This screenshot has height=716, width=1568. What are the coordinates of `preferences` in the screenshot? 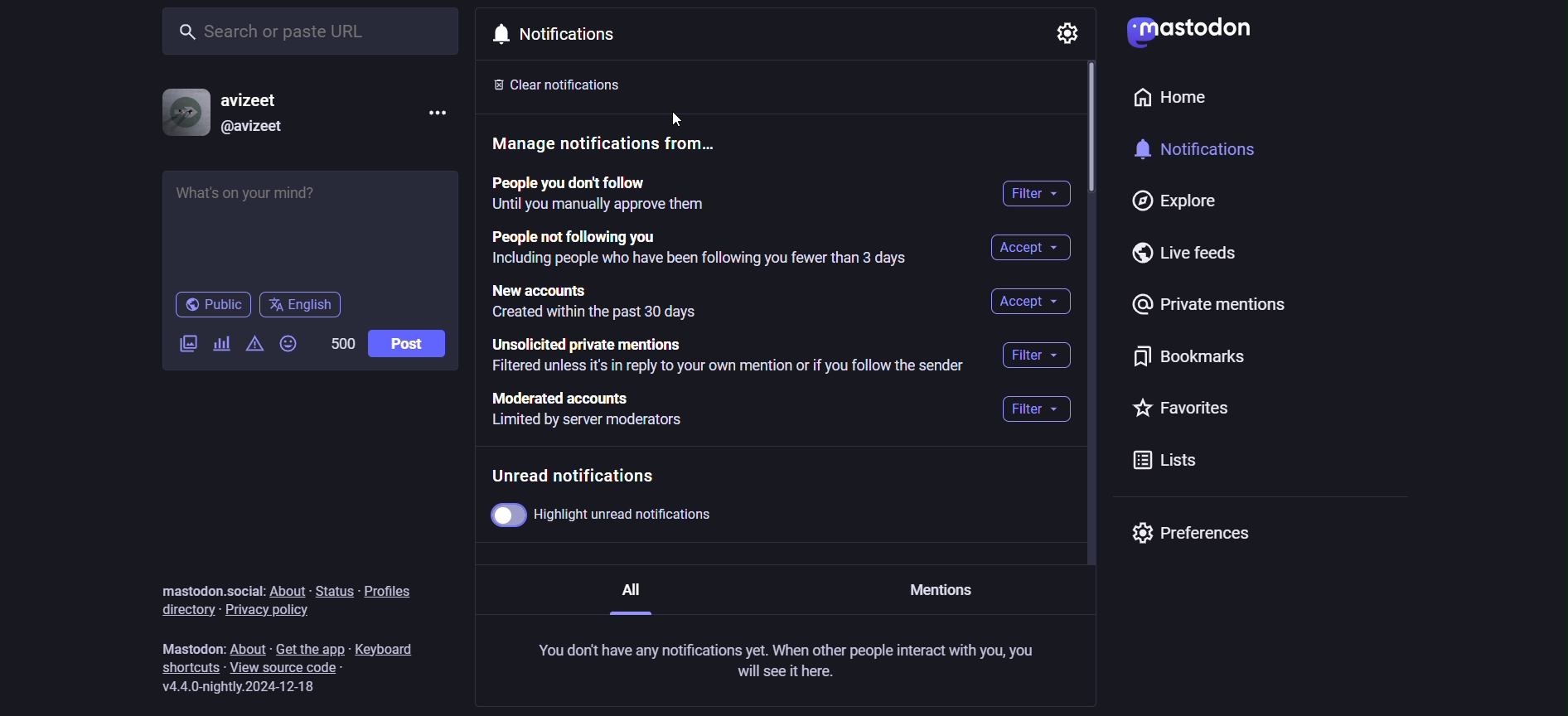 It's located at (1190, 534).